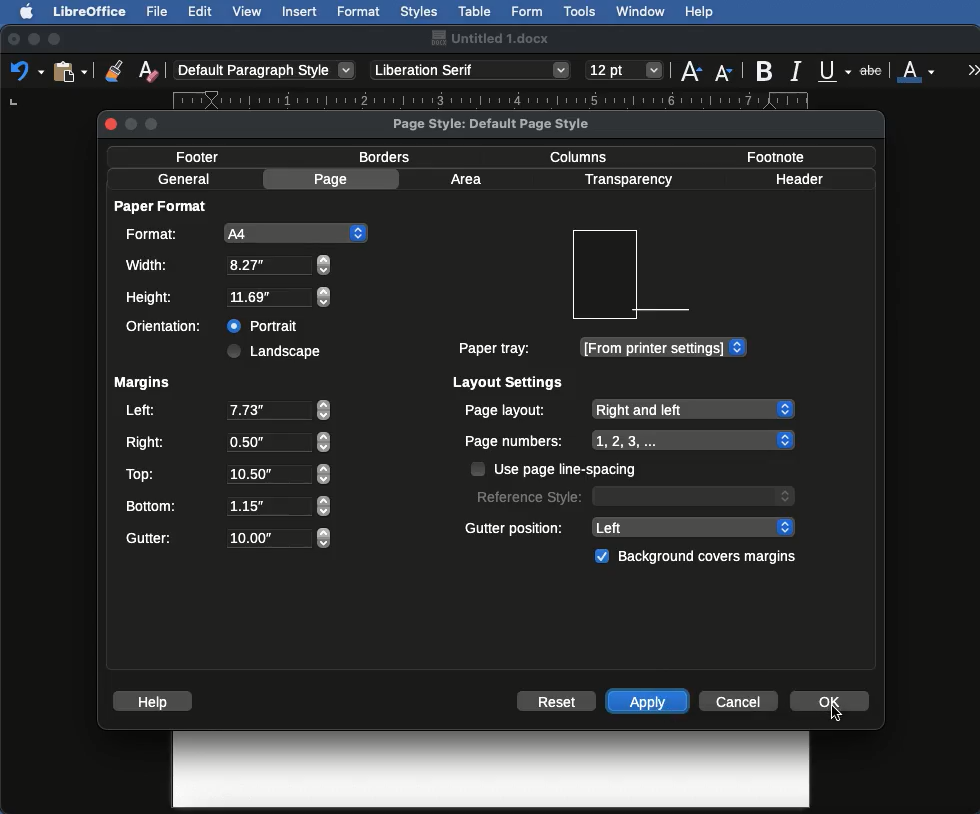 This screenshot has height=814, width=980. Describe the element at coordinates (799, 179) in the screenshot. I see `Header` at that location.